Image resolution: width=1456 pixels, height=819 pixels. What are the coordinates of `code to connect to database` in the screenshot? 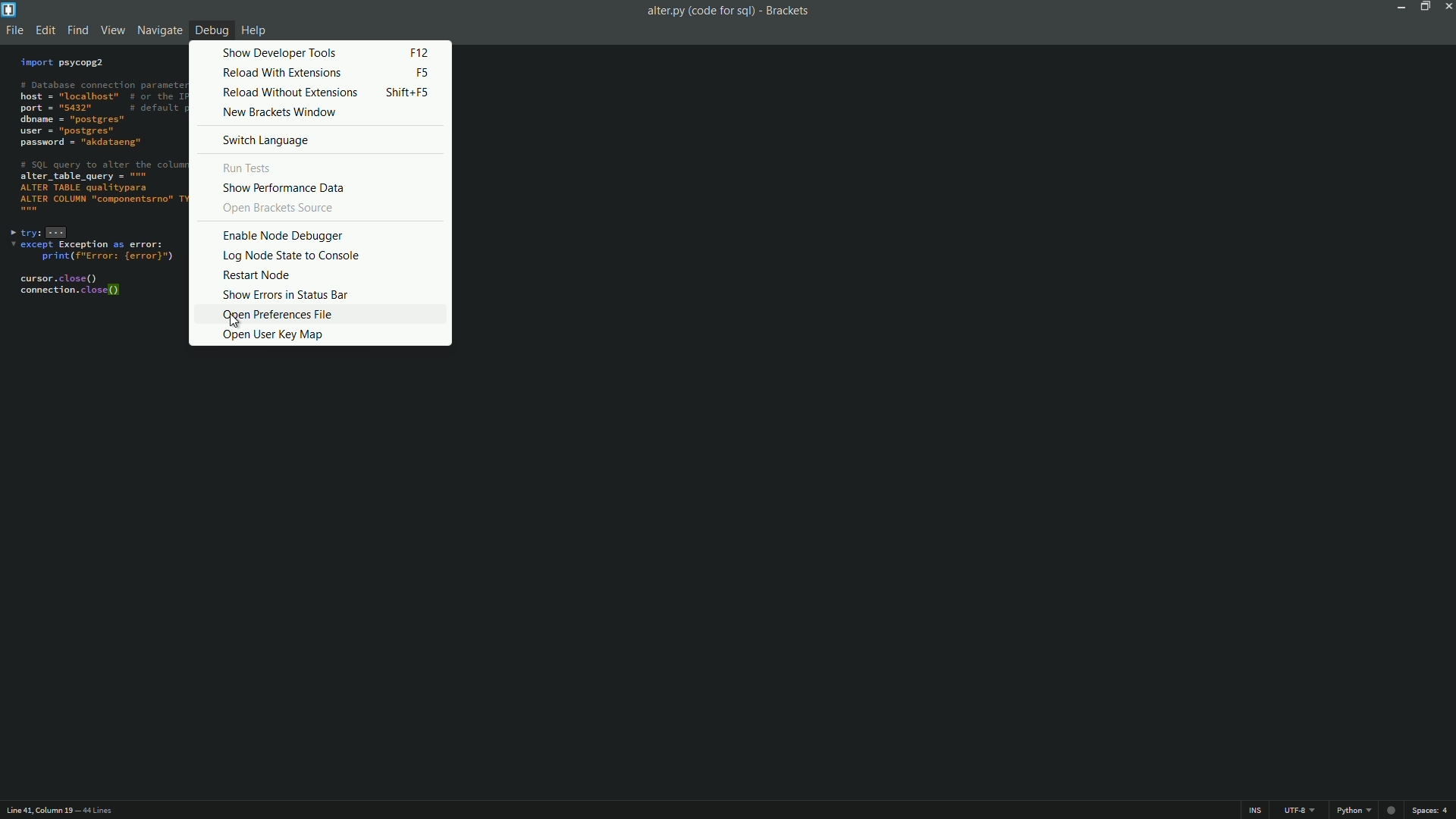 It's located at (91, 192).